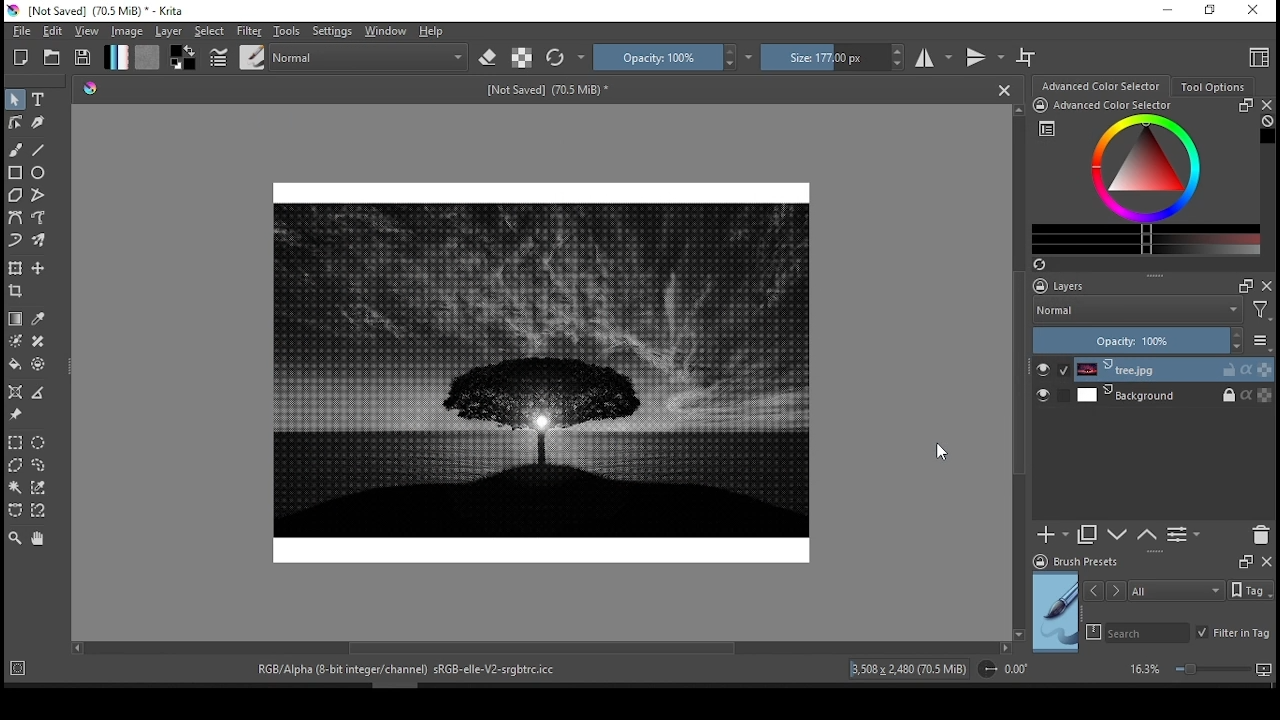 The height and width of the screenshot is (720, 1280). I want to click on polygon tool, so click(16, 195).